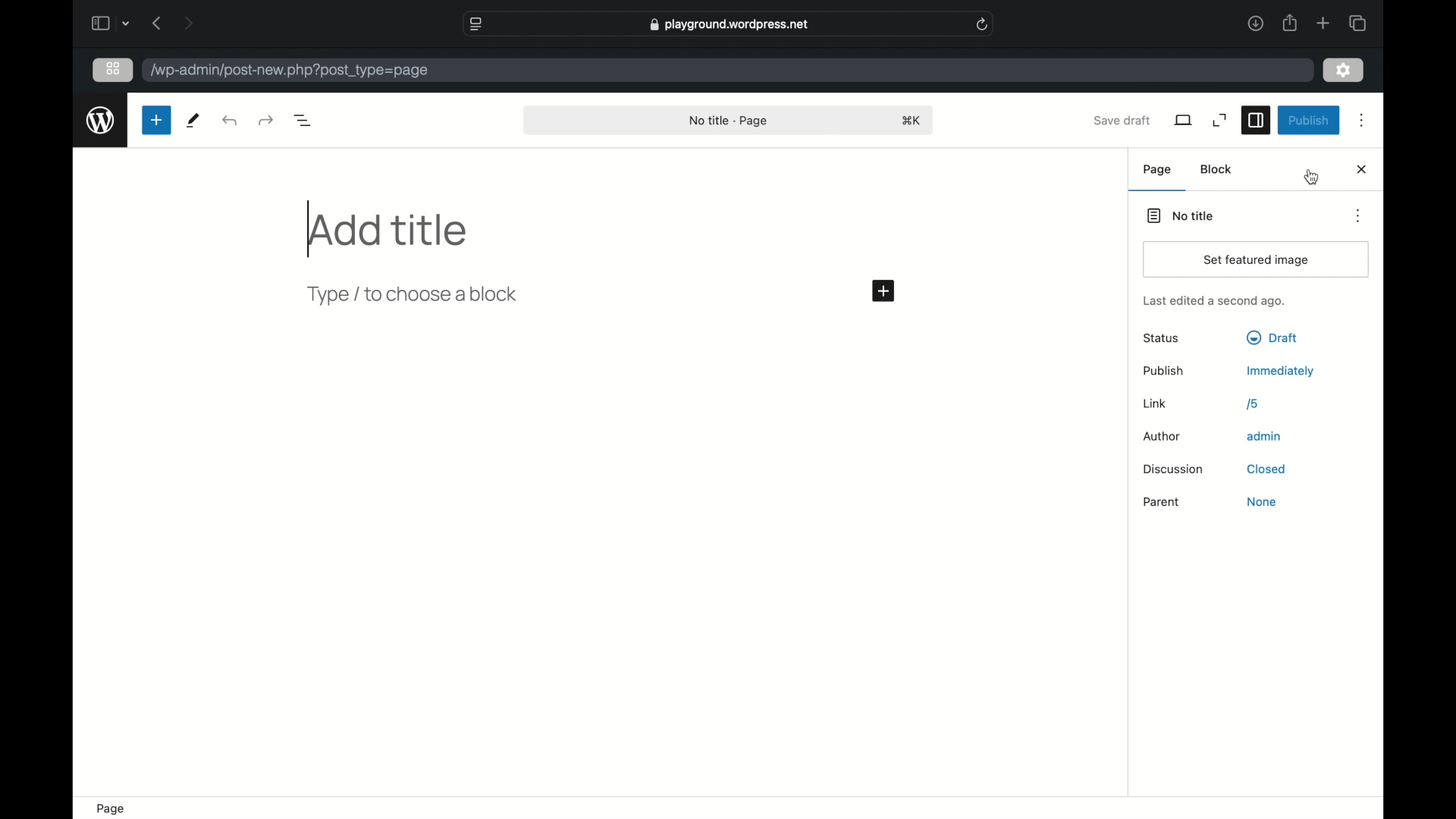  I want to click on immediately, so click(1281, 372).